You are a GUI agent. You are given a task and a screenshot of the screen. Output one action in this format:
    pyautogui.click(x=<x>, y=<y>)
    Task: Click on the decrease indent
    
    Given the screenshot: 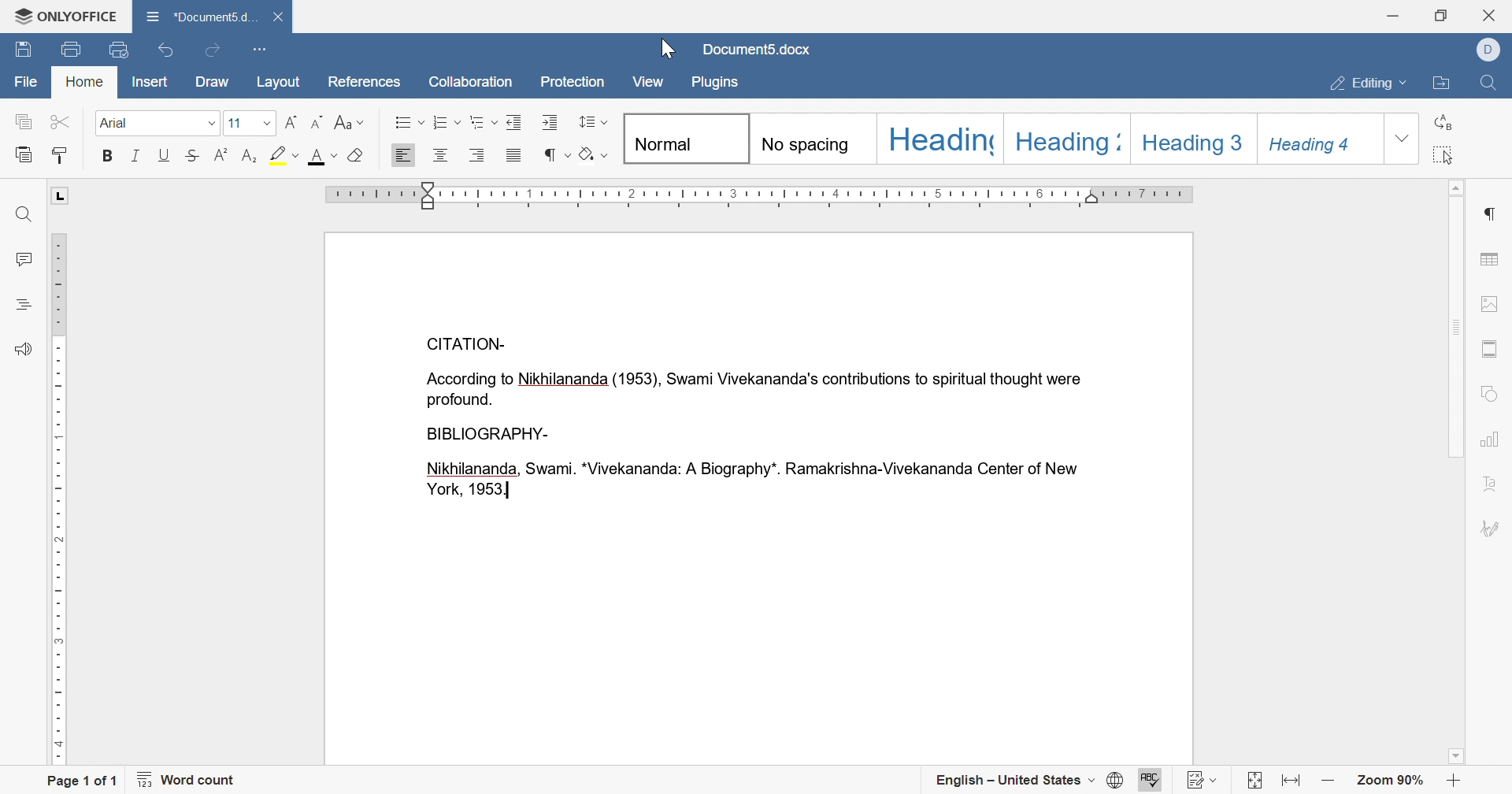 What is the action you would take?
    pyautogui.click(x=517, y=124)
    